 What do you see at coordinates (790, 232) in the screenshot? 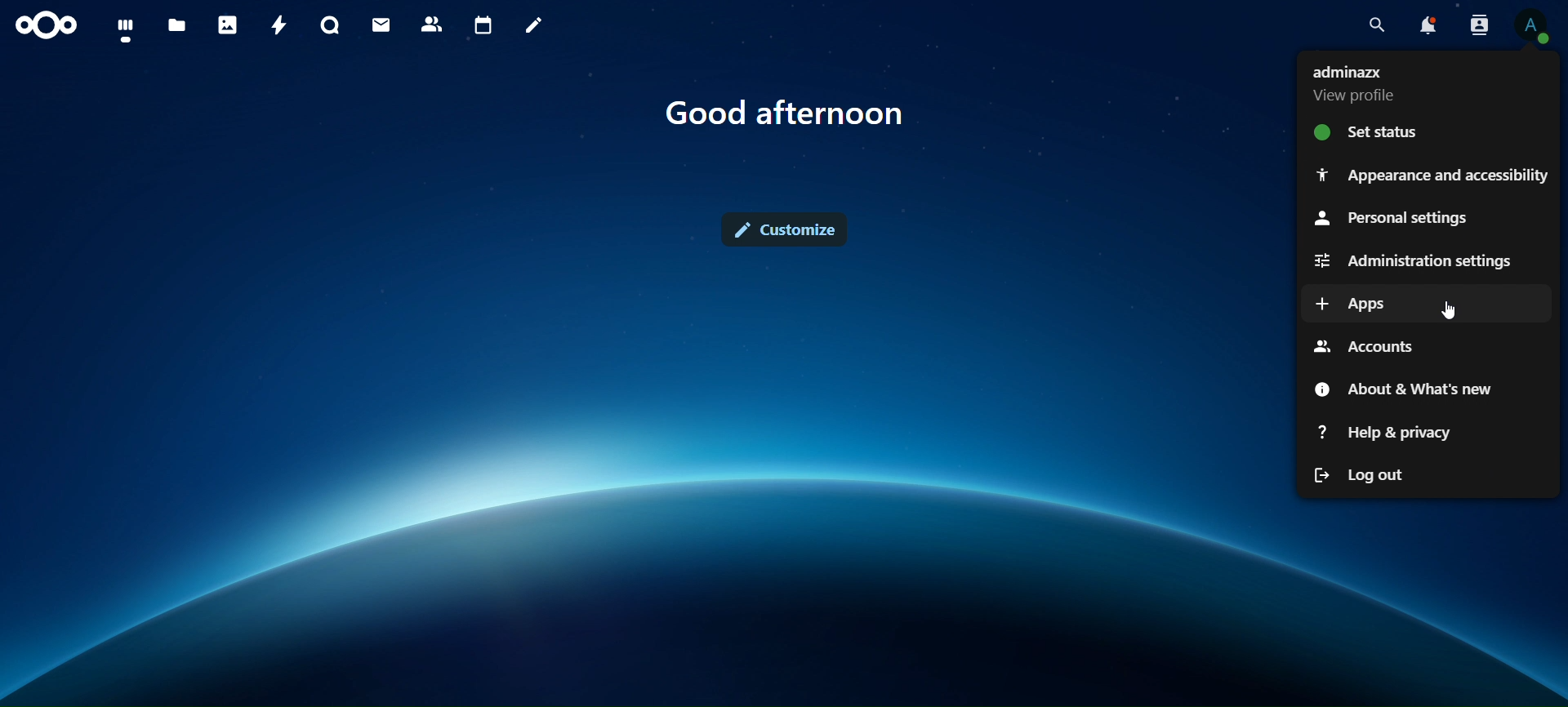
I see `customize` at bounding box center [790, 232].